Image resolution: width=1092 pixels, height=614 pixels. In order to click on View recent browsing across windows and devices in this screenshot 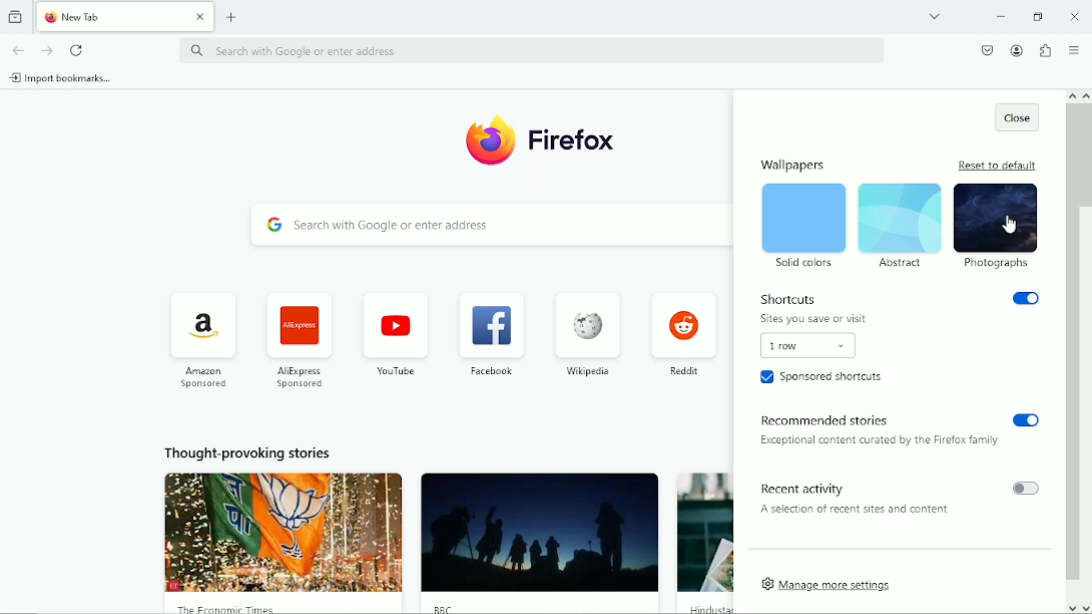, I will do `click(17, 16)`.